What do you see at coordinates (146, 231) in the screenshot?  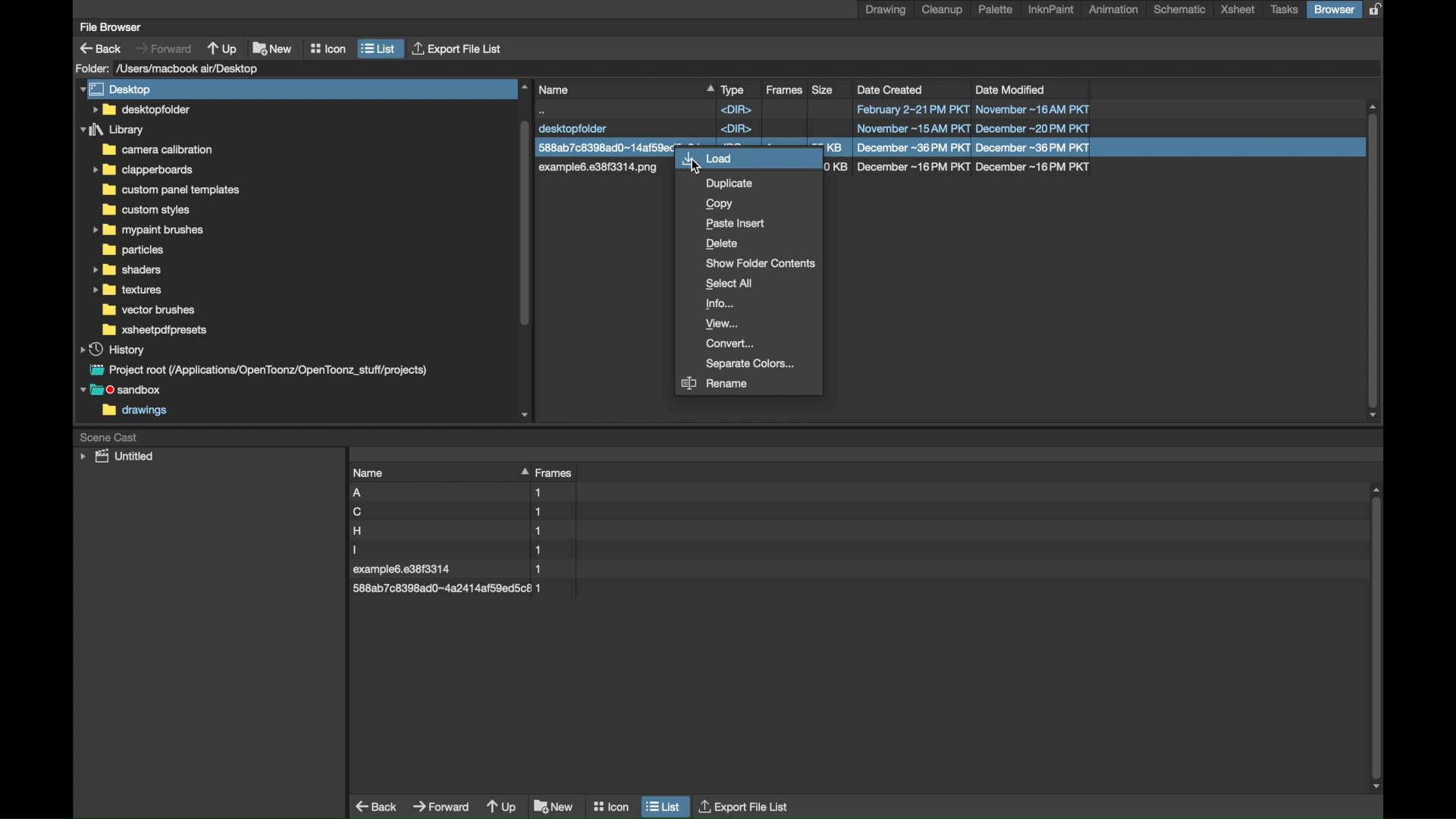 I see `folder` at bounding box center [146, 231].